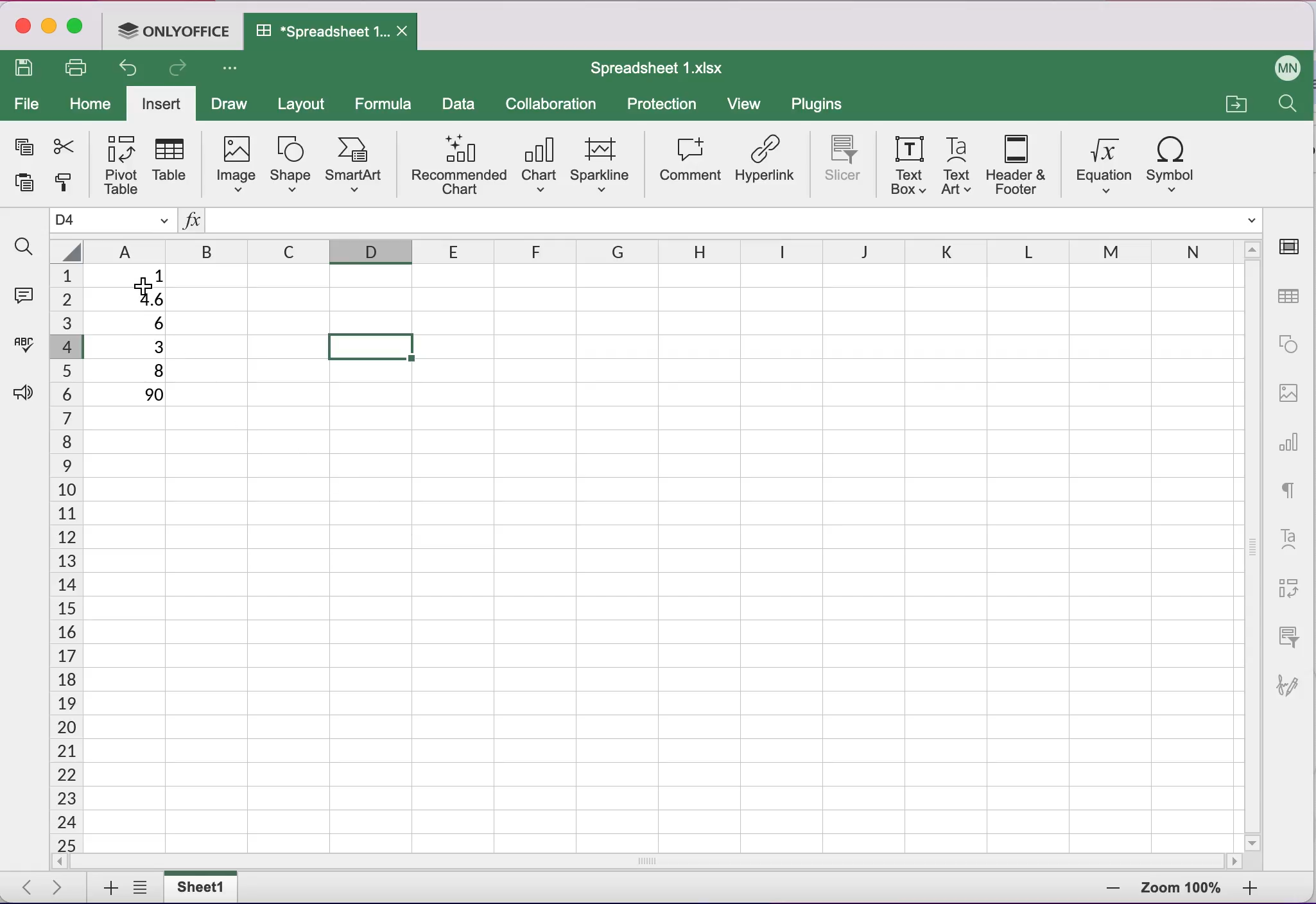 This screenshot has height=904, width=1316. Describe the element at coordinates (745, 103) in the screenshot. I see `view` at that location.